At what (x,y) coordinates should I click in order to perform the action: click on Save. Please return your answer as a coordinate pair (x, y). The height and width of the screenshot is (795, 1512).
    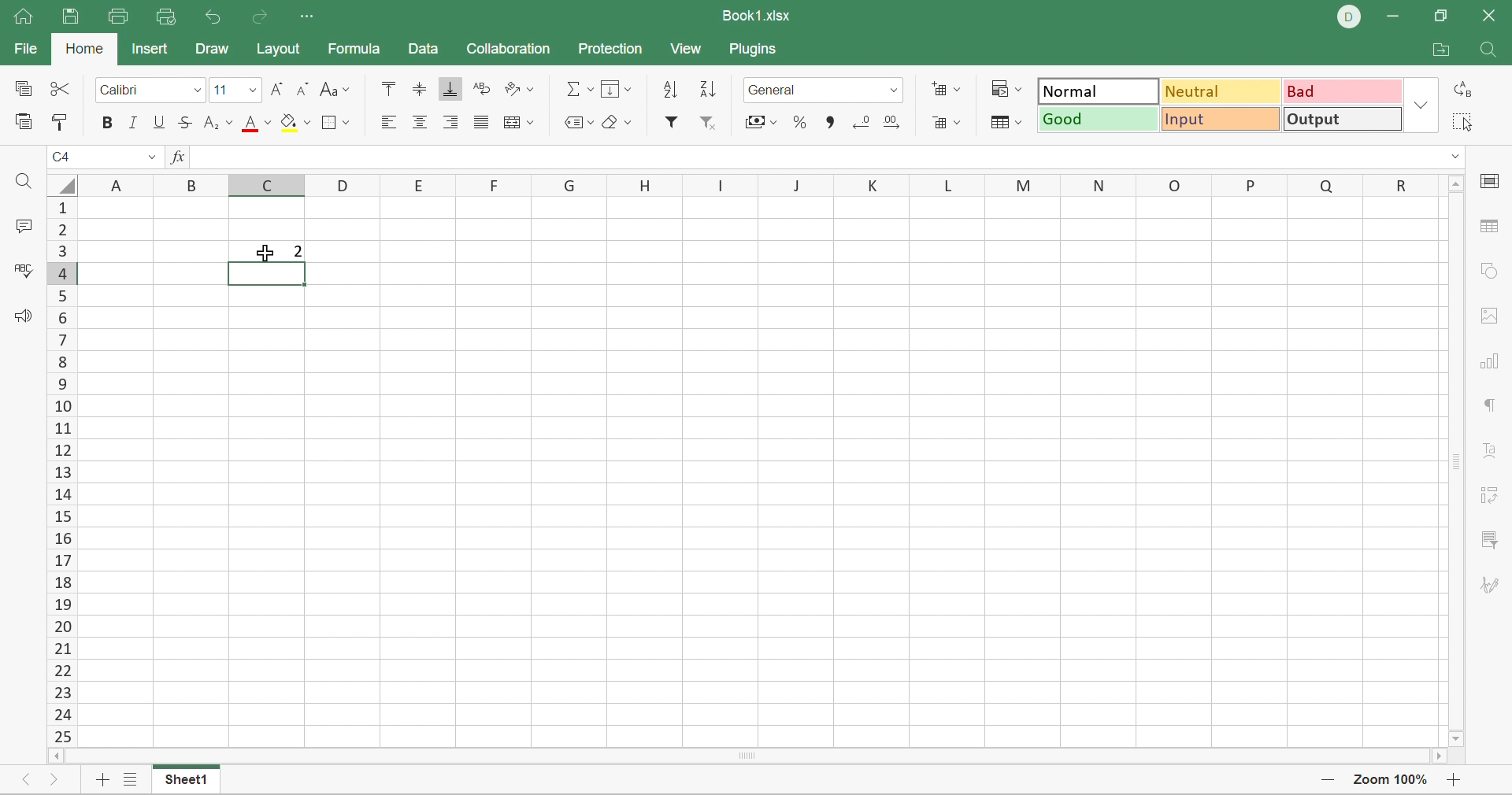
    Looking at the image, I should click on (73, 17).